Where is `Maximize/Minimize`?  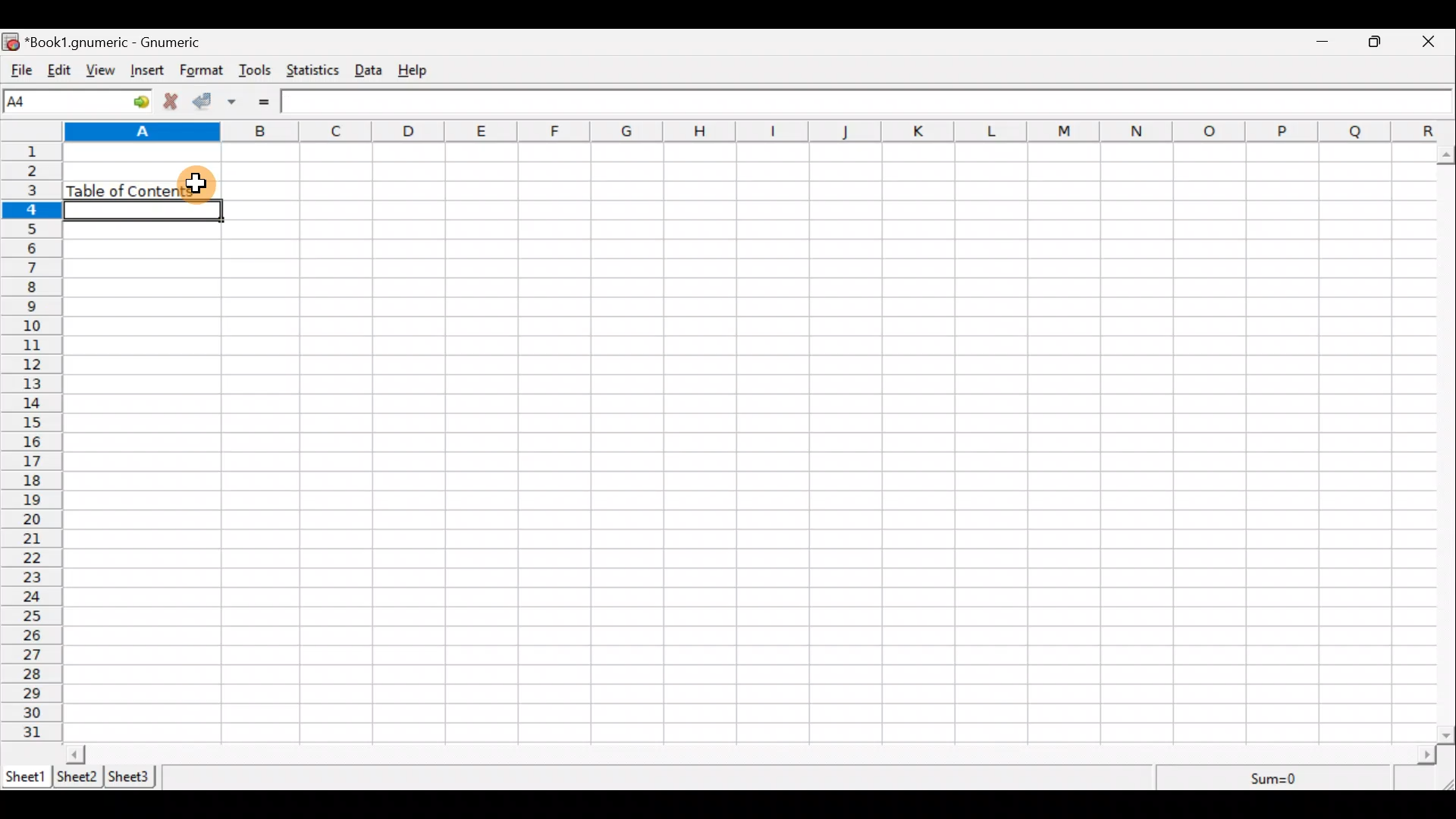 Maximize/Minimize is located at coordinates (1379, 42).